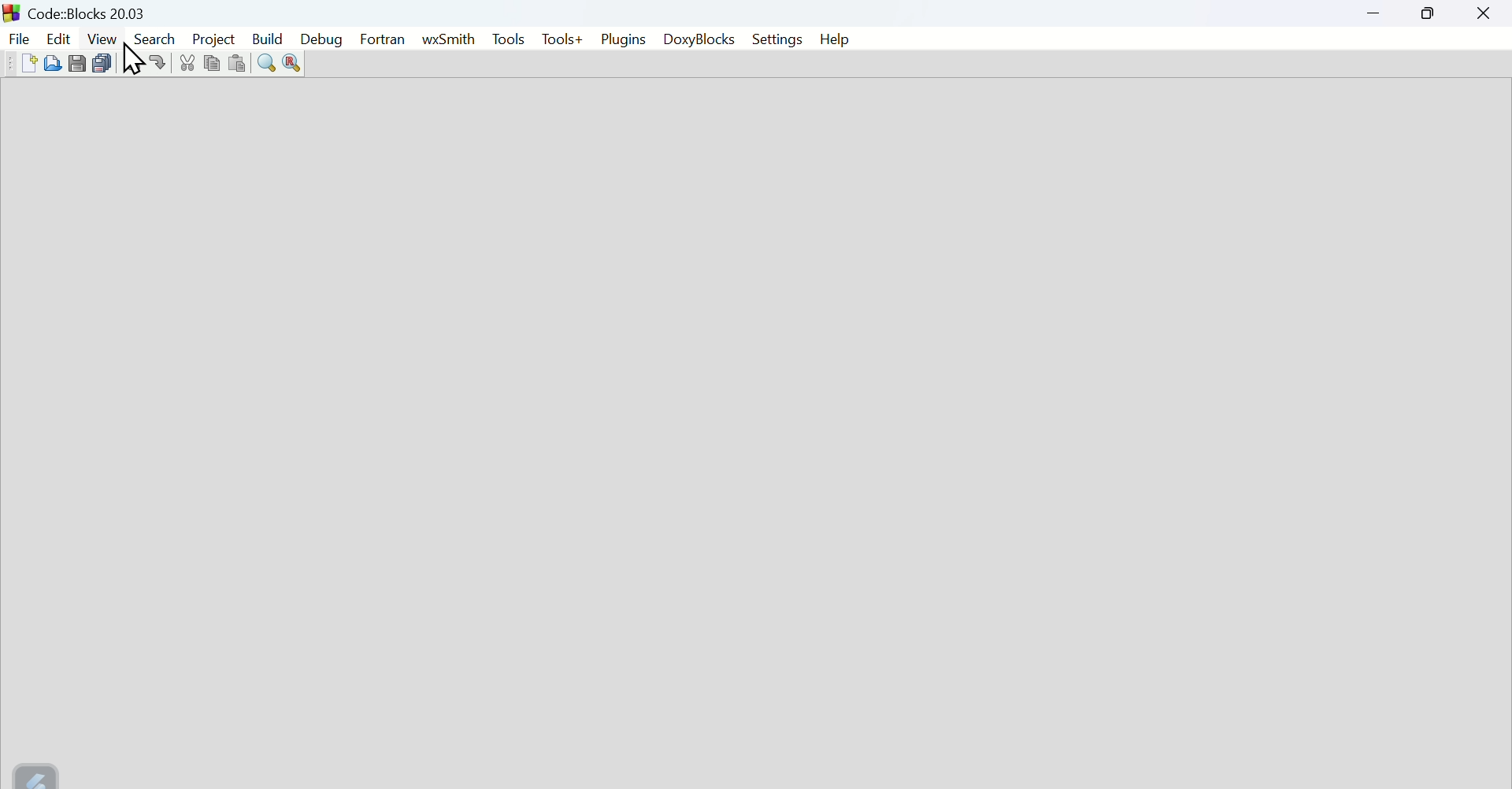  Describe the element at coordinates (292, 63) in the screenshot. I see `Replace` at that location.